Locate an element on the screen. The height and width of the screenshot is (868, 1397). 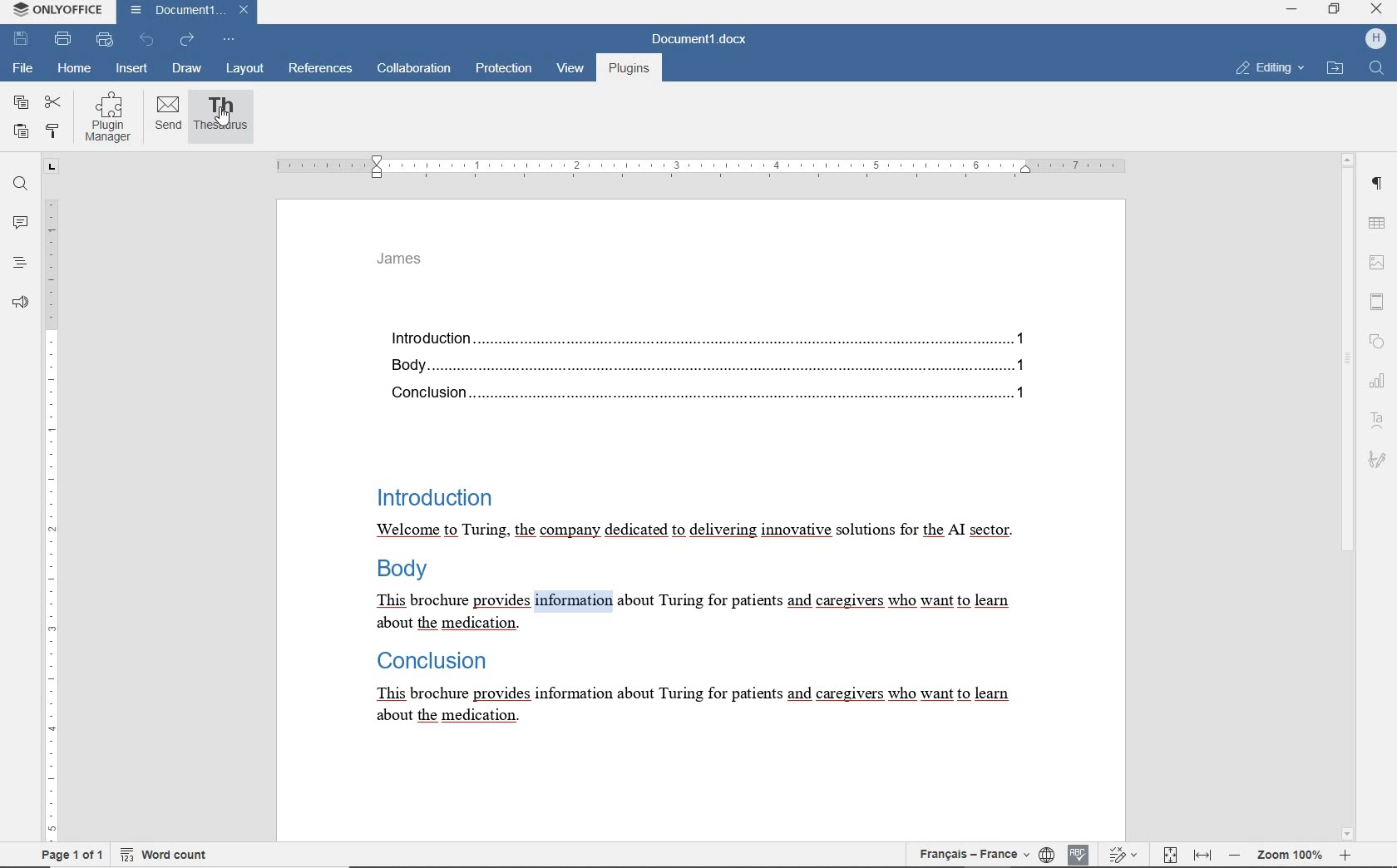
cursor is located at coordinates (225, 117).